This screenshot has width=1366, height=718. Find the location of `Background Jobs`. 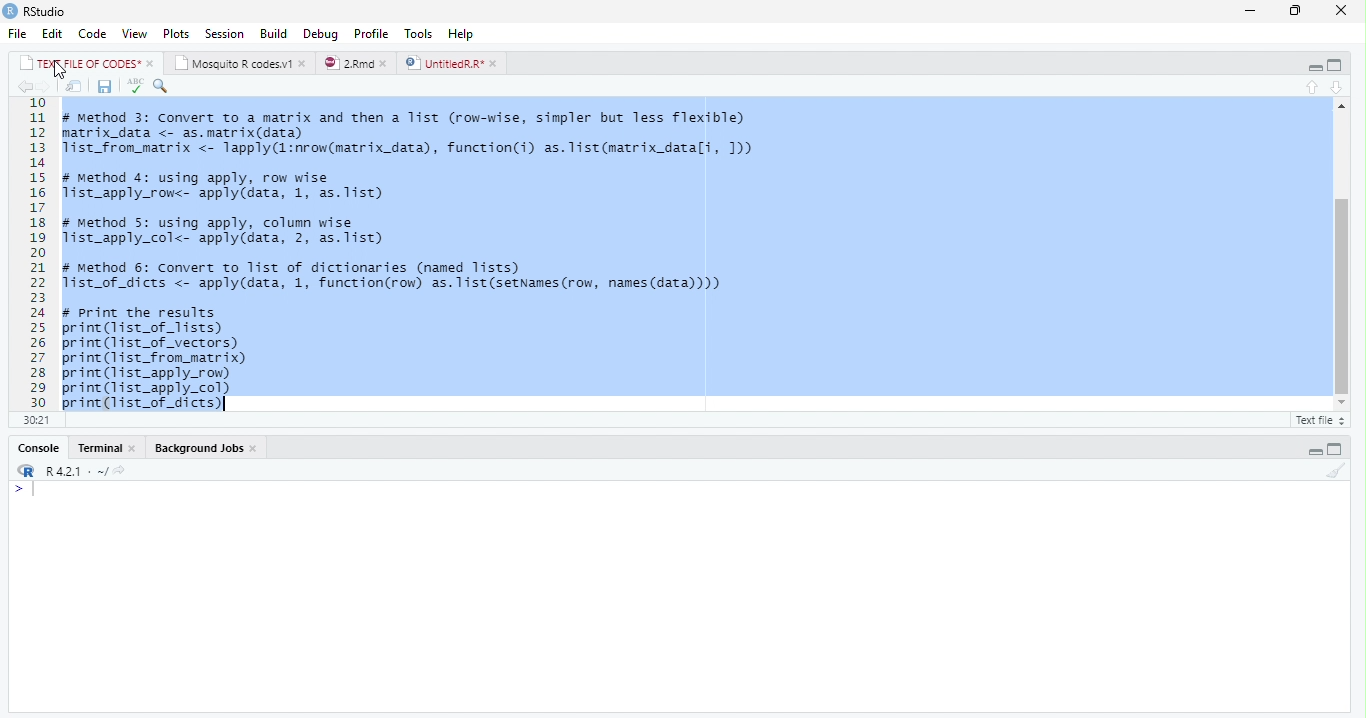

Background Jobs is located at coordinates (206, 448).